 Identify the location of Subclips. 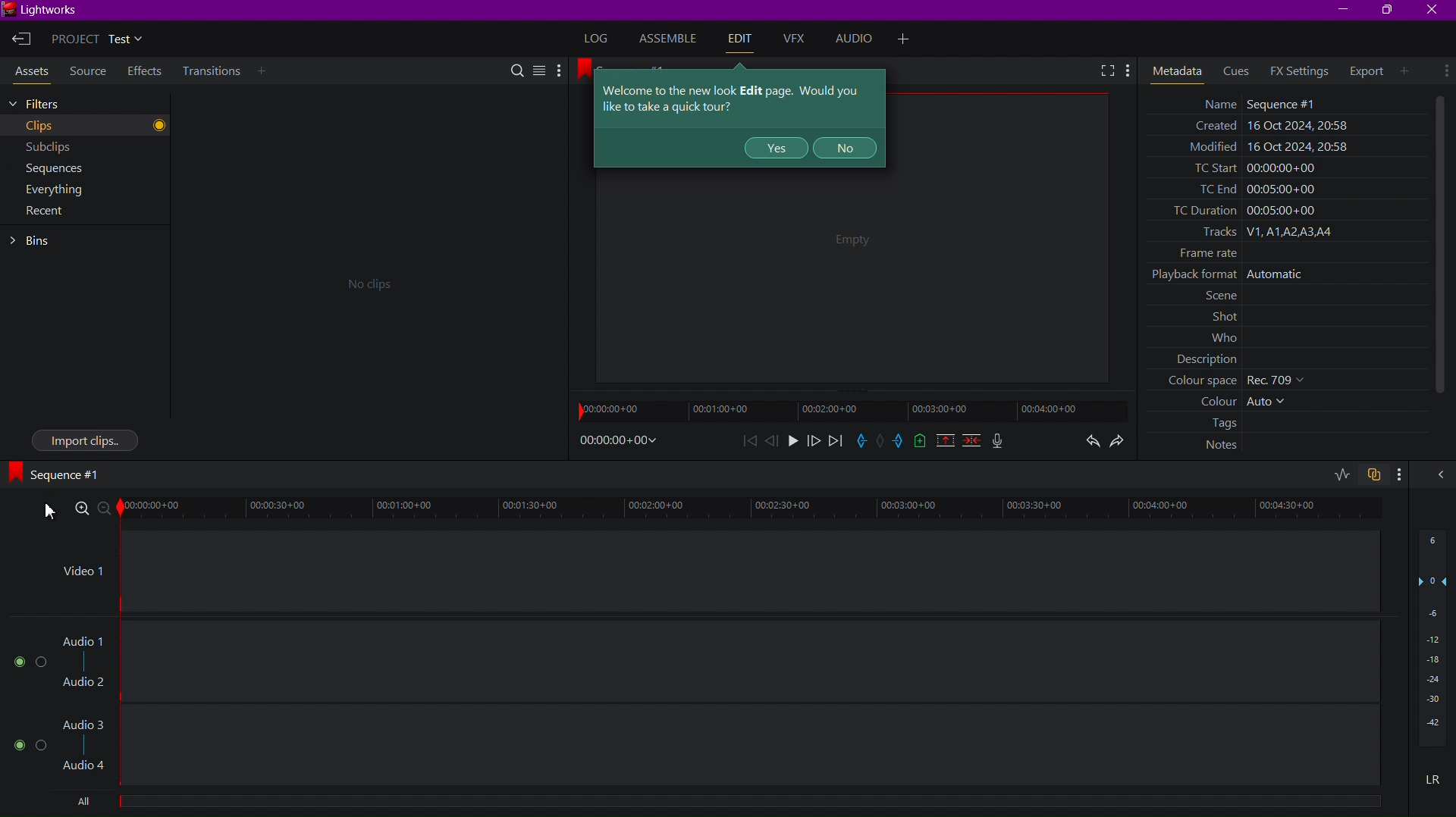
(42, 148).